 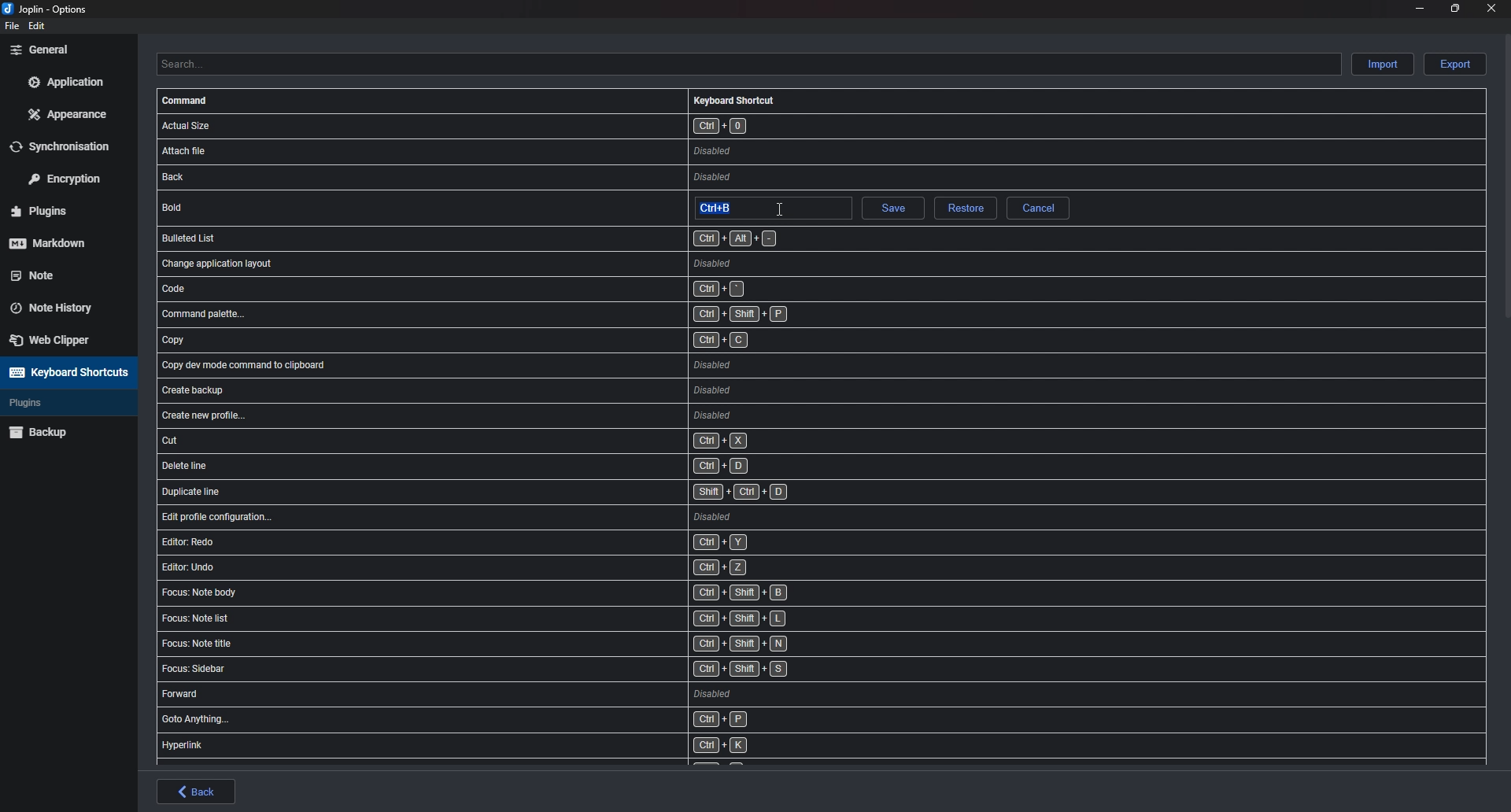 What do you see at coordinates (61, 242) in the screenshot?
I see `mark down` at bounding box center [61, 242].